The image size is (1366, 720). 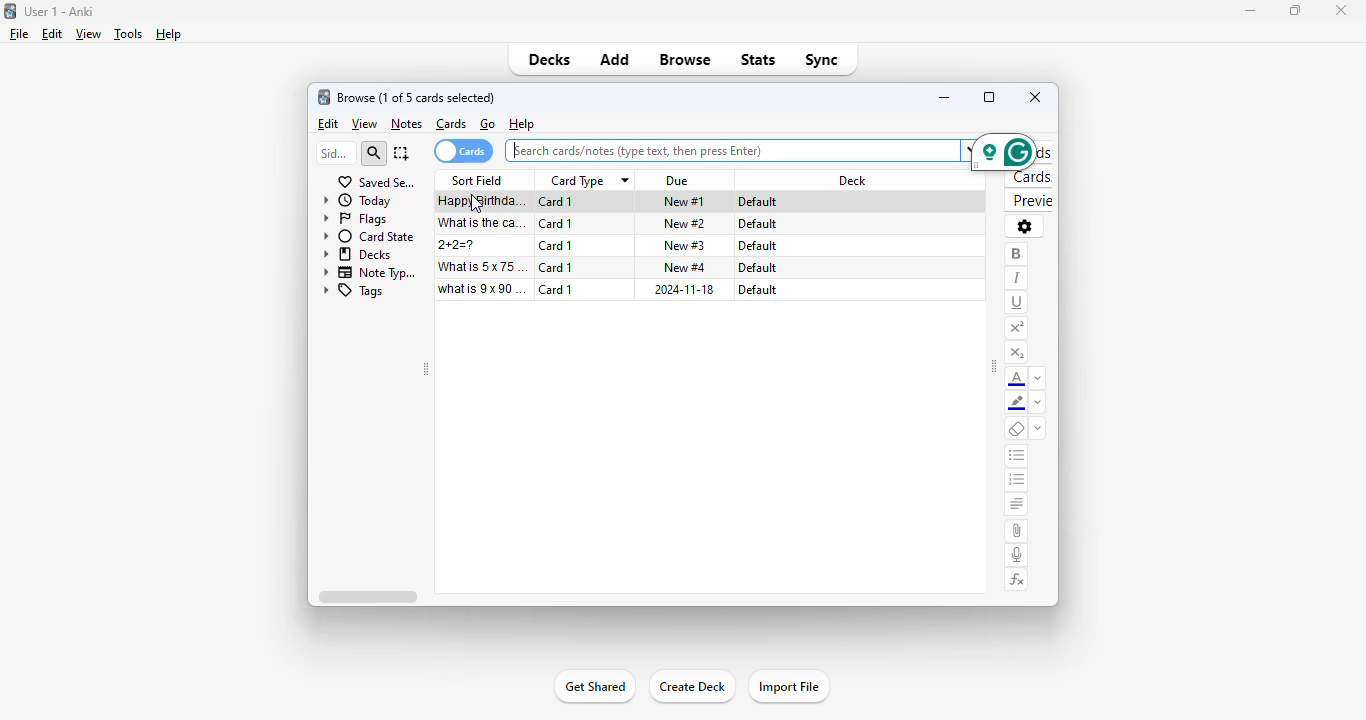 What do you see at coordinates (522, 123) in the screenshot?
I see `help` at bounding box center [522, 123].